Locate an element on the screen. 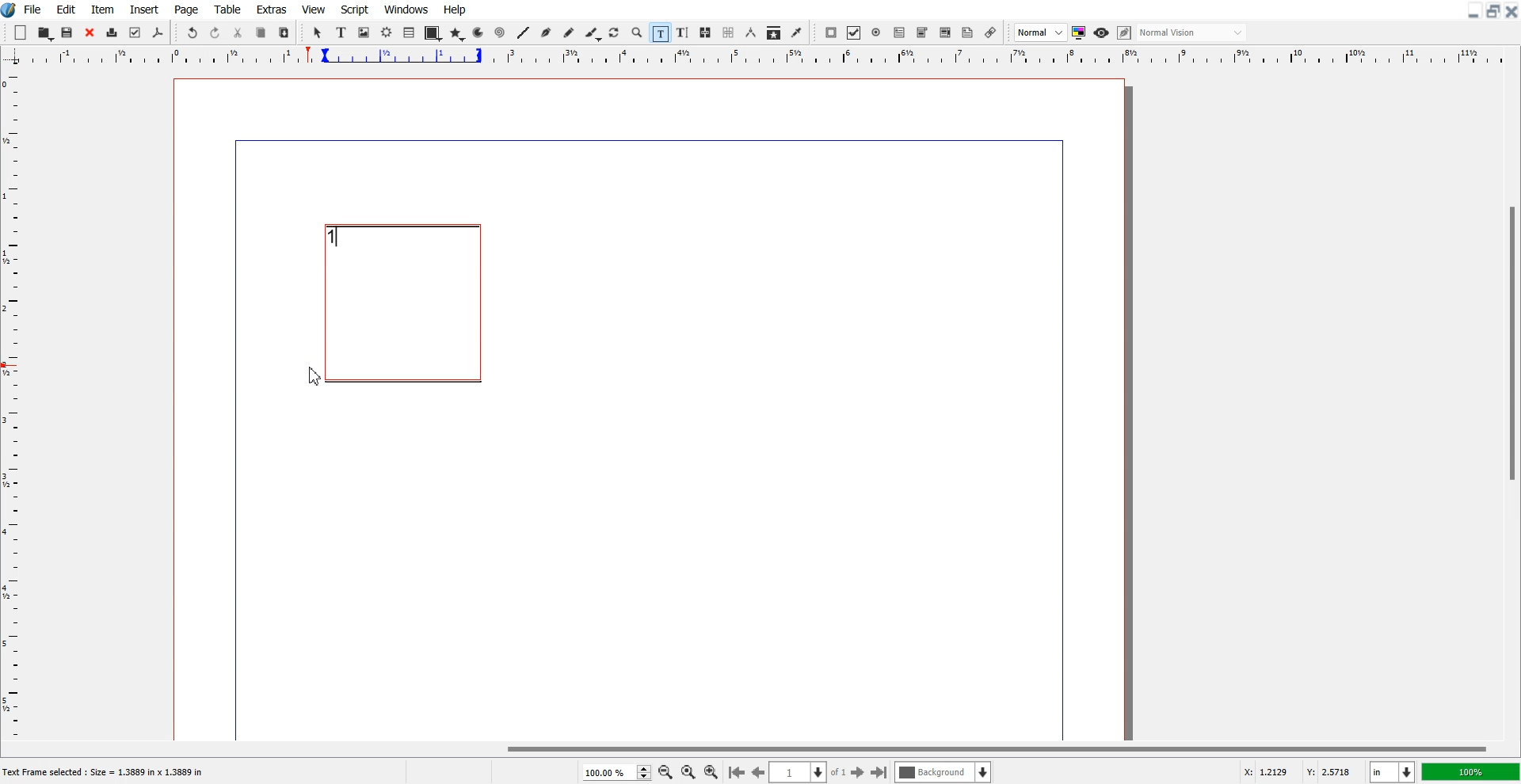  Edit content of frame is located at coordinates (660, 32).